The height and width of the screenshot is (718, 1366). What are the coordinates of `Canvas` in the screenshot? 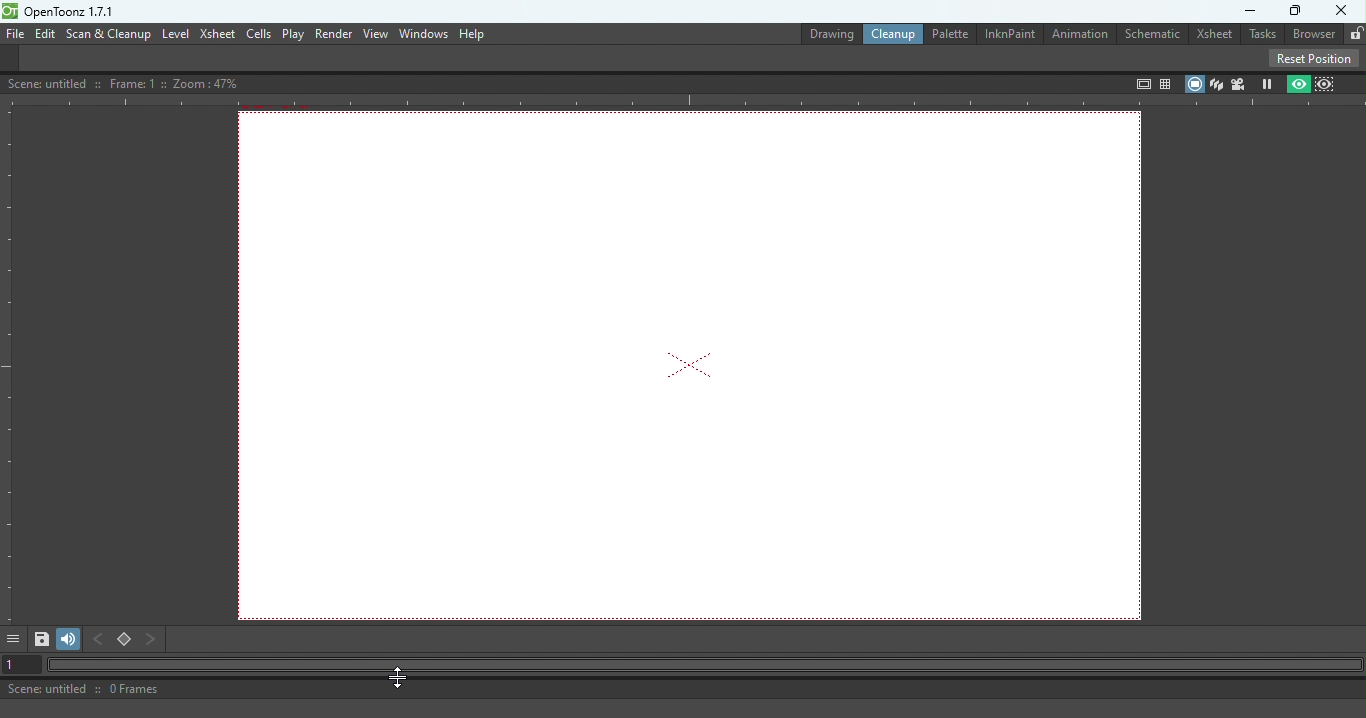 It's located at (696, 365).